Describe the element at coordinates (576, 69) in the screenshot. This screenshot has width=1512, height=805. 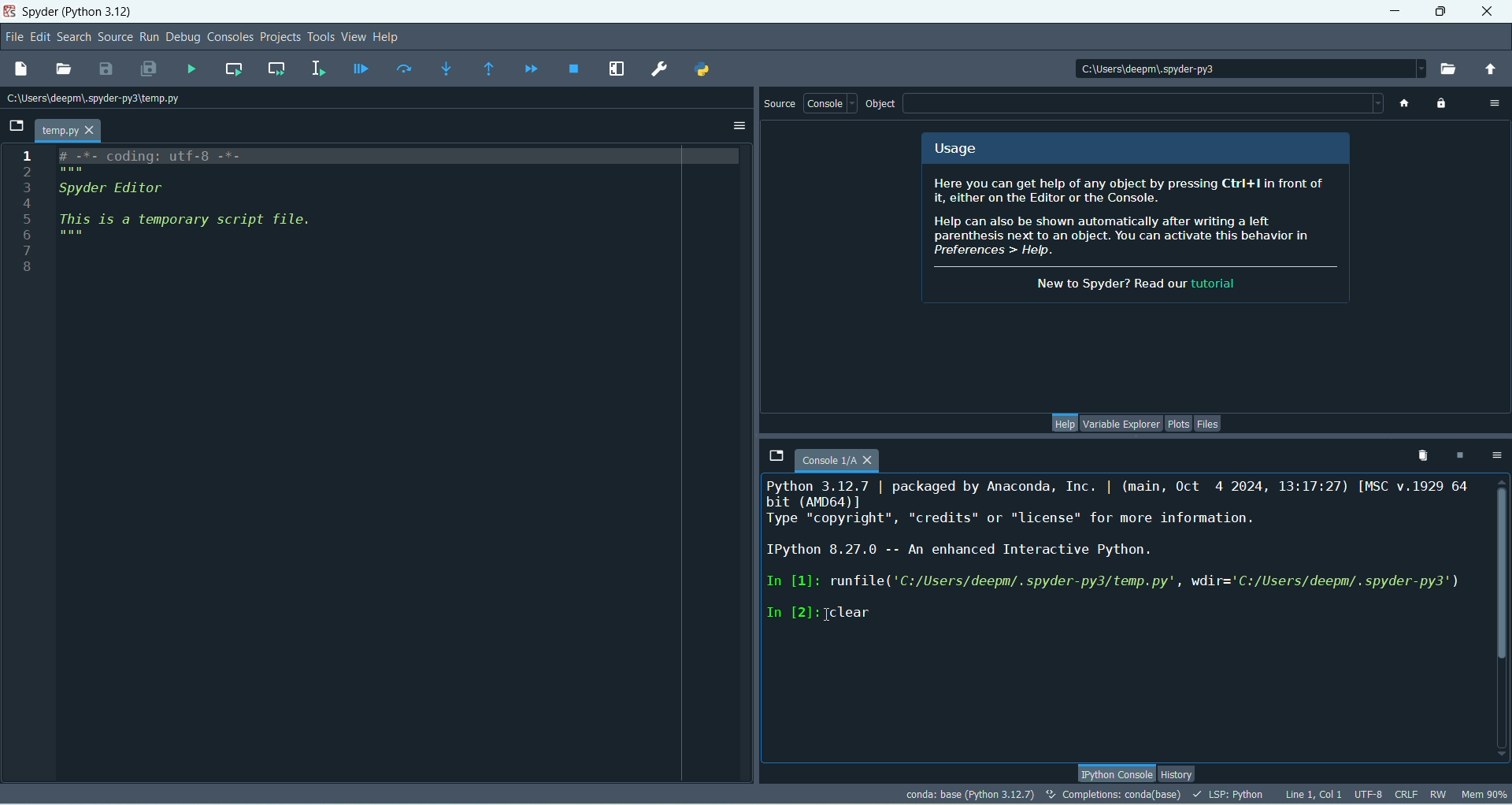
I see `stop debugging` at that location.